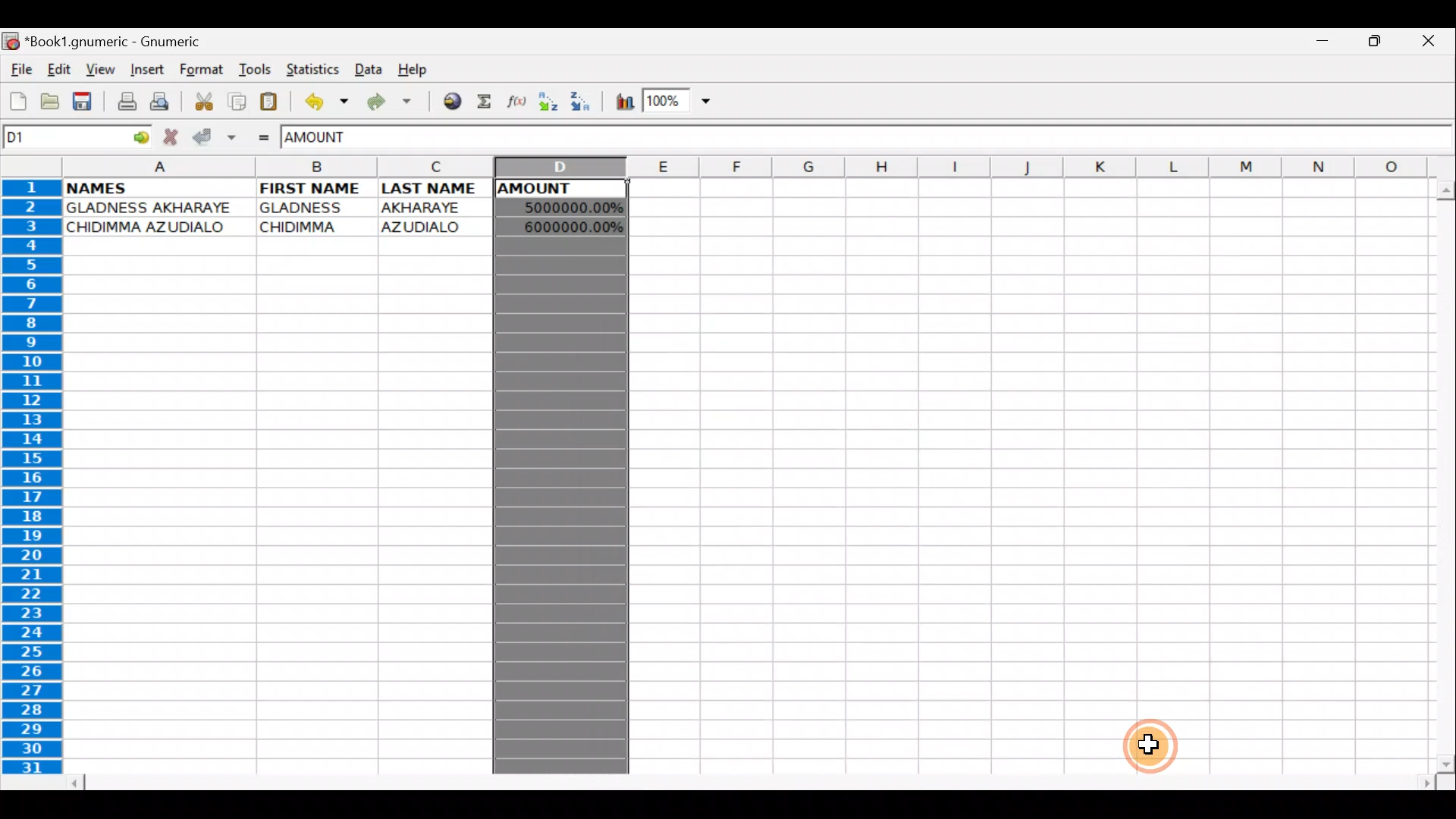 This screenshot has height=819, width=1456. I want to click on LAST NAME, so click(436, 190).